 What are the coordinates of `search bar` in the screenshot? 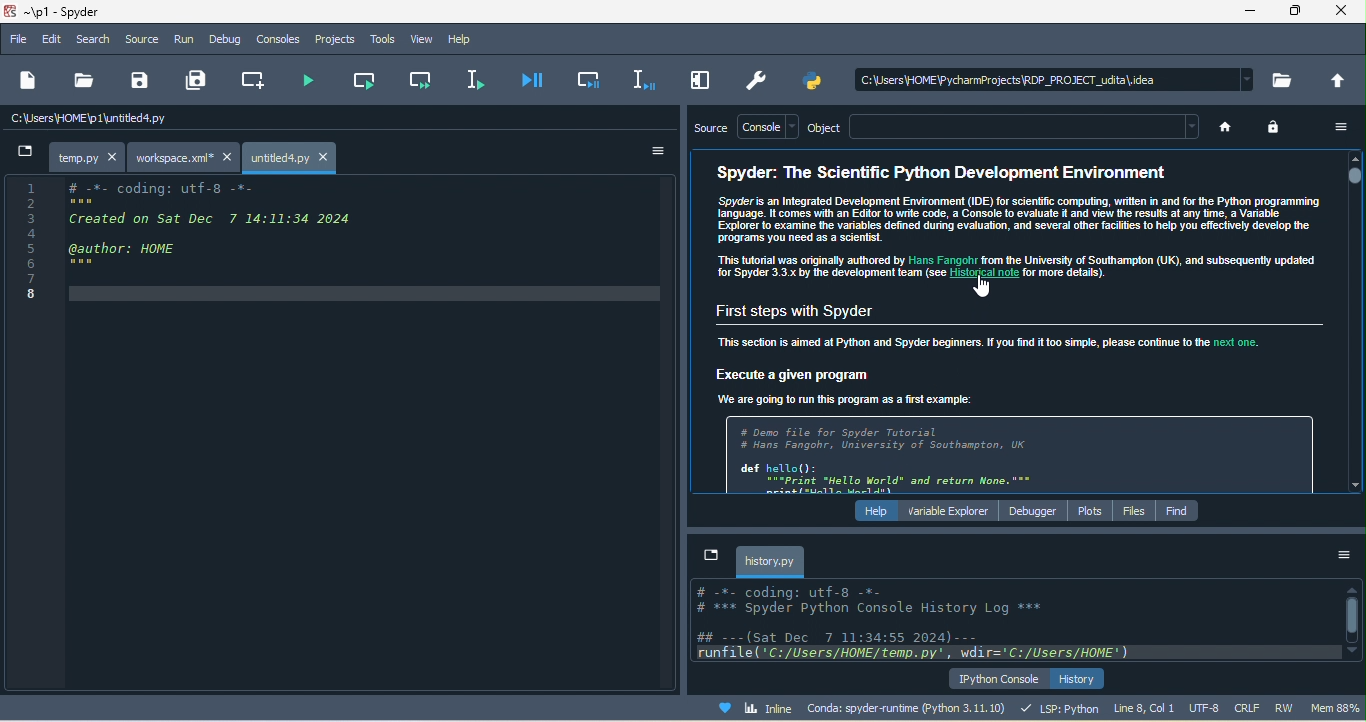 It's located at (1025, 127).